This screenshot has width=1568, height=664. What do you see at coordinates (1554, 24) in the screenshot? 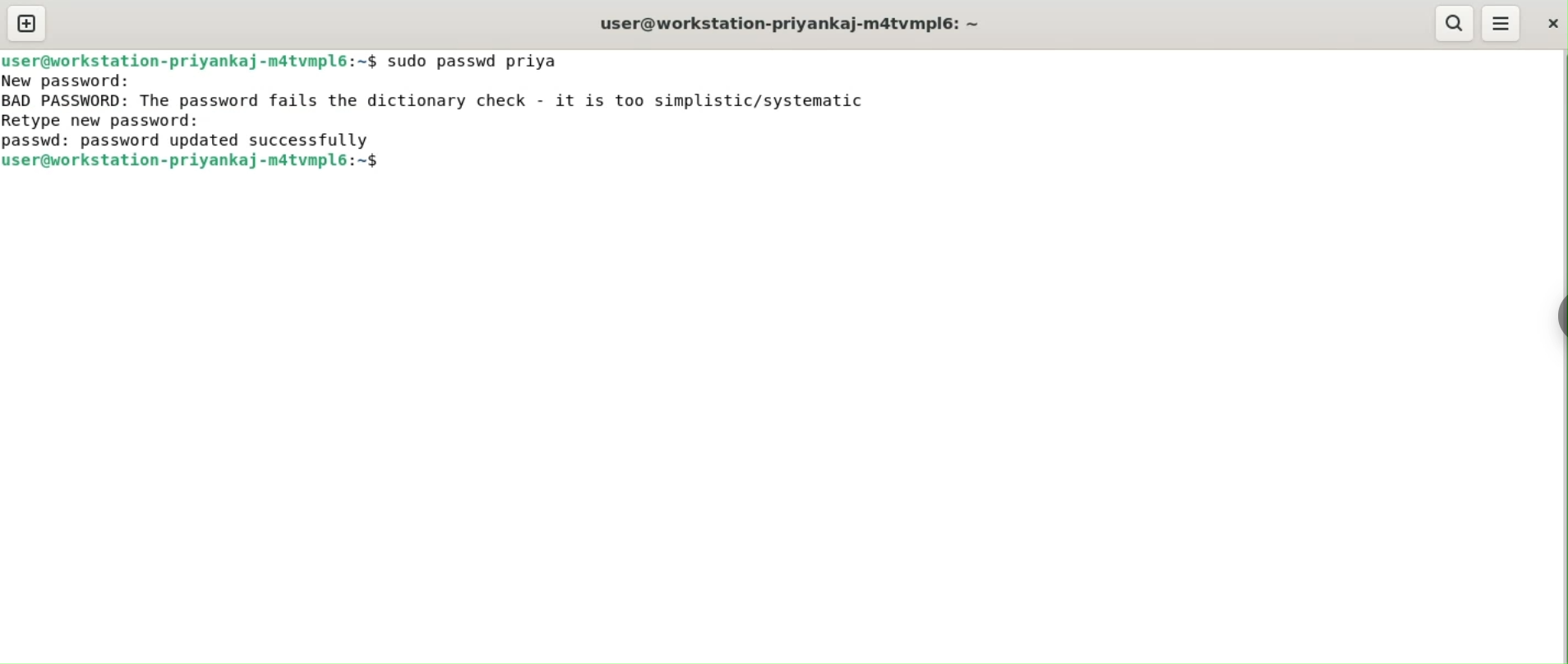
I see `close` at bounding box center [1554, 24].